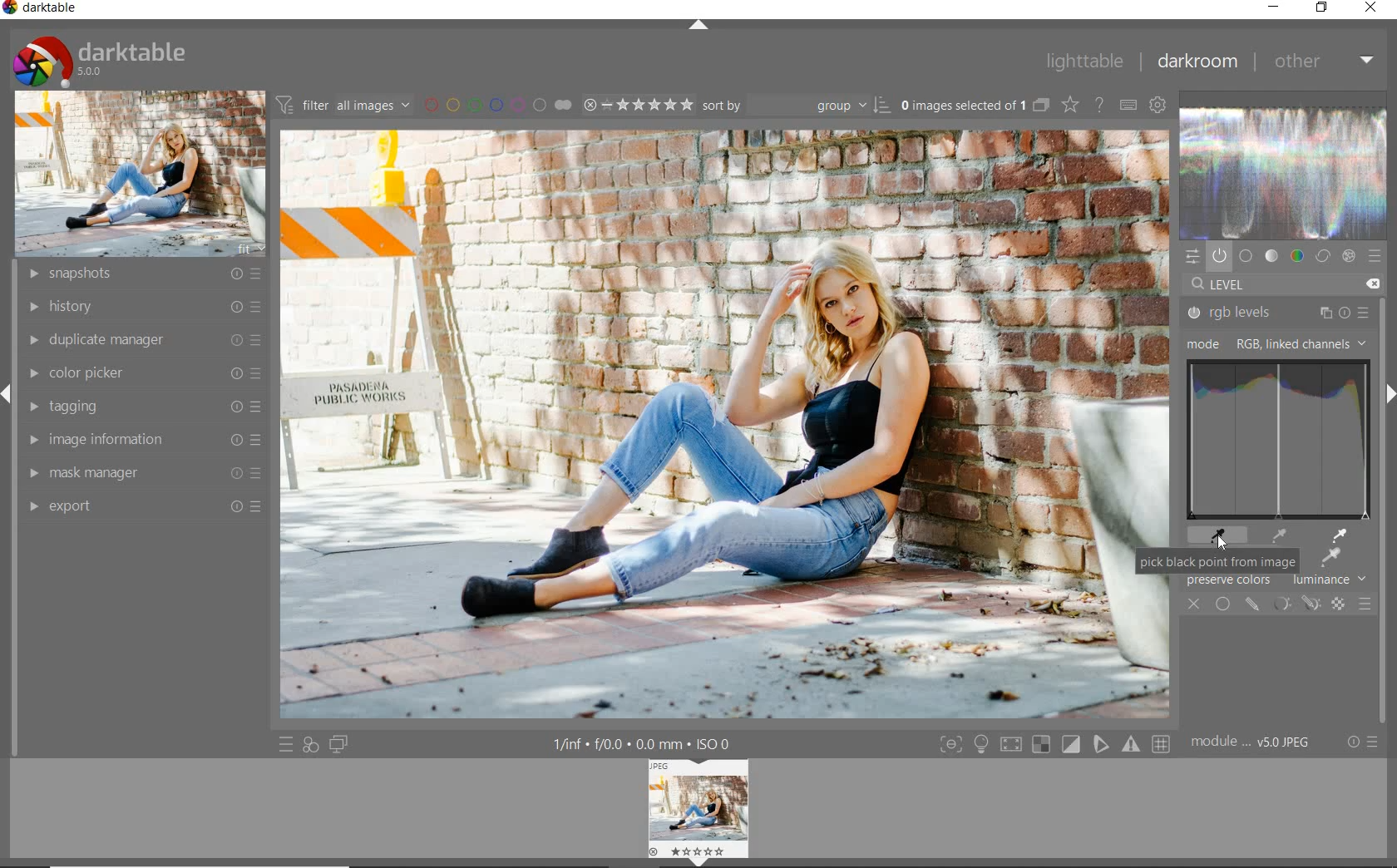 This screenshot has width=1397, height=868. What do you see at coordinates (1051, 745) in the screenshot?
I see `toggle modes` at bounding box center [1051, 745].